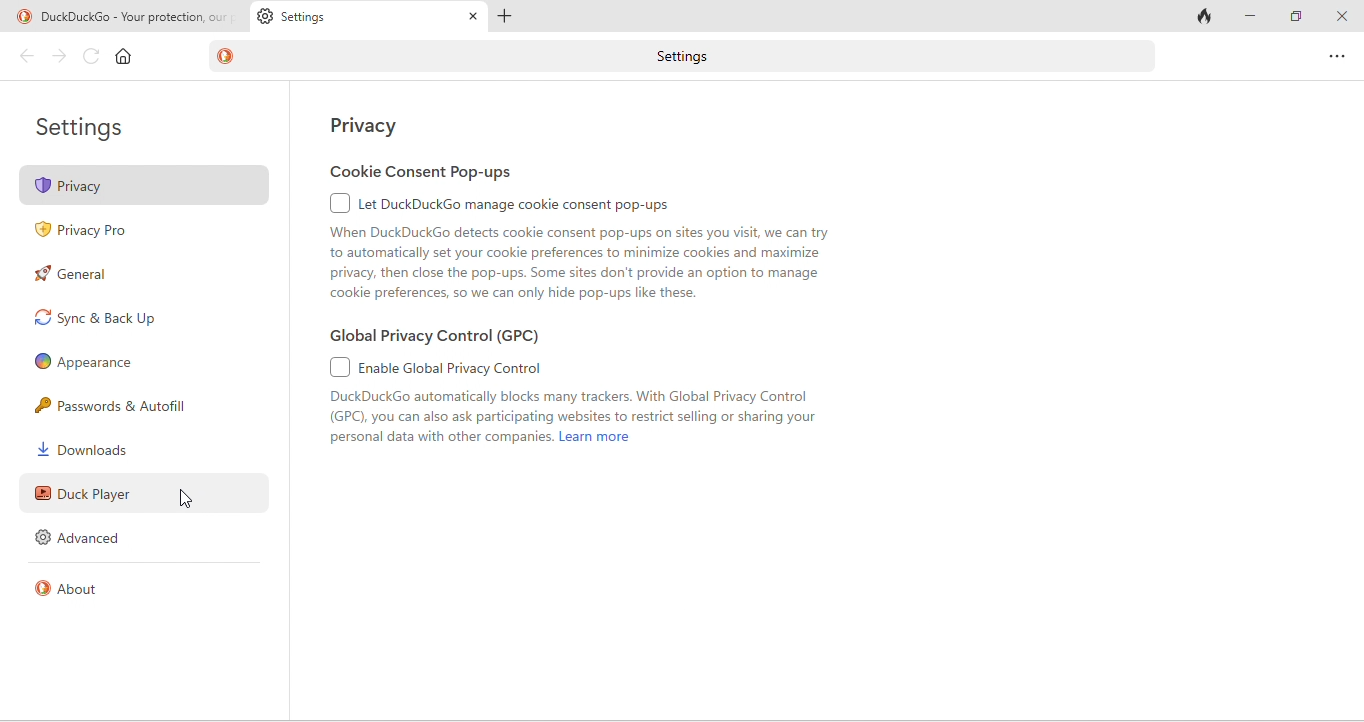  What do you see at coordinates (369, 125) in the screenshot?
I see `privacy` at bounding box center [369, 125].